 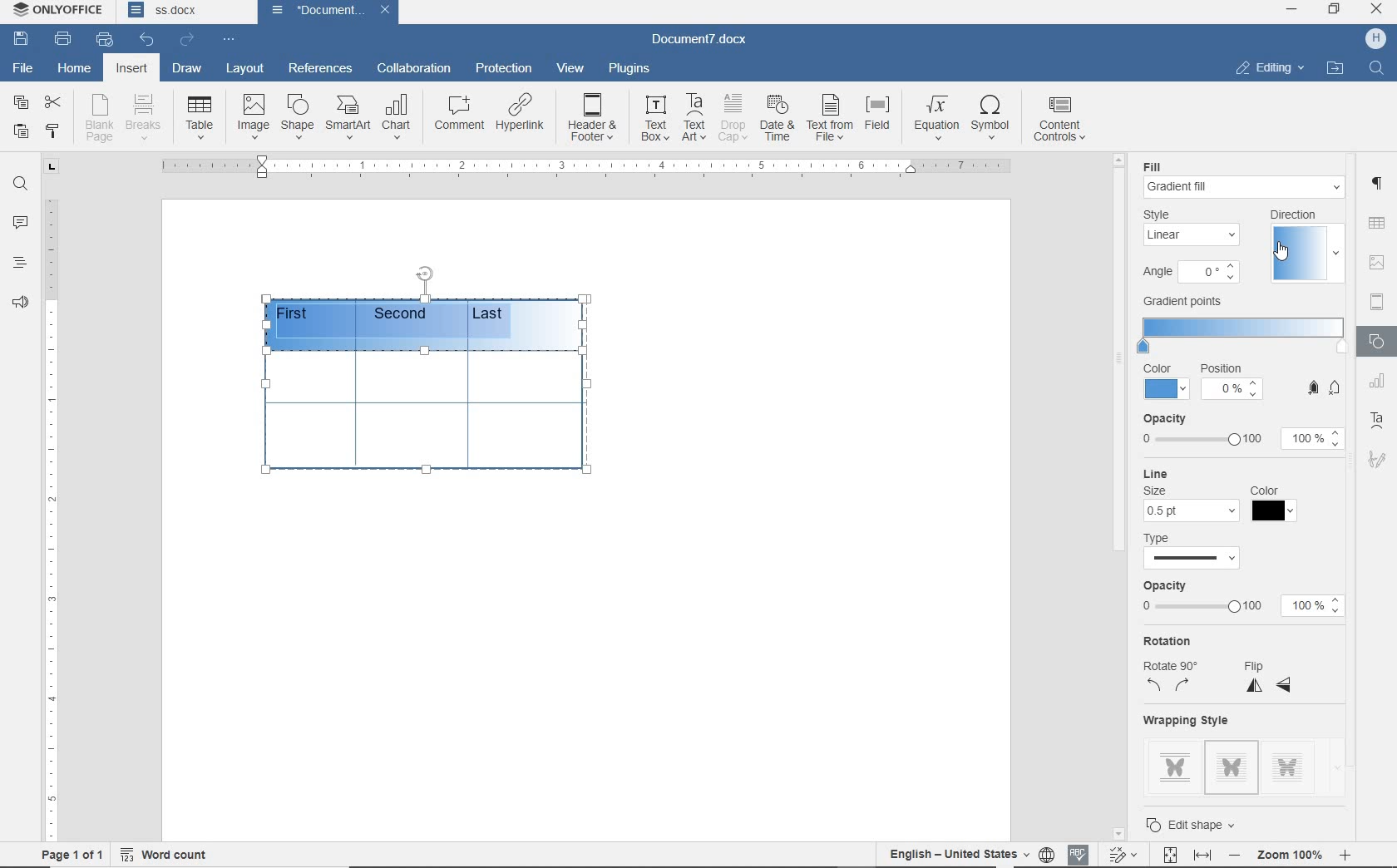 I want to click on position, so click(x=1234, y=390).